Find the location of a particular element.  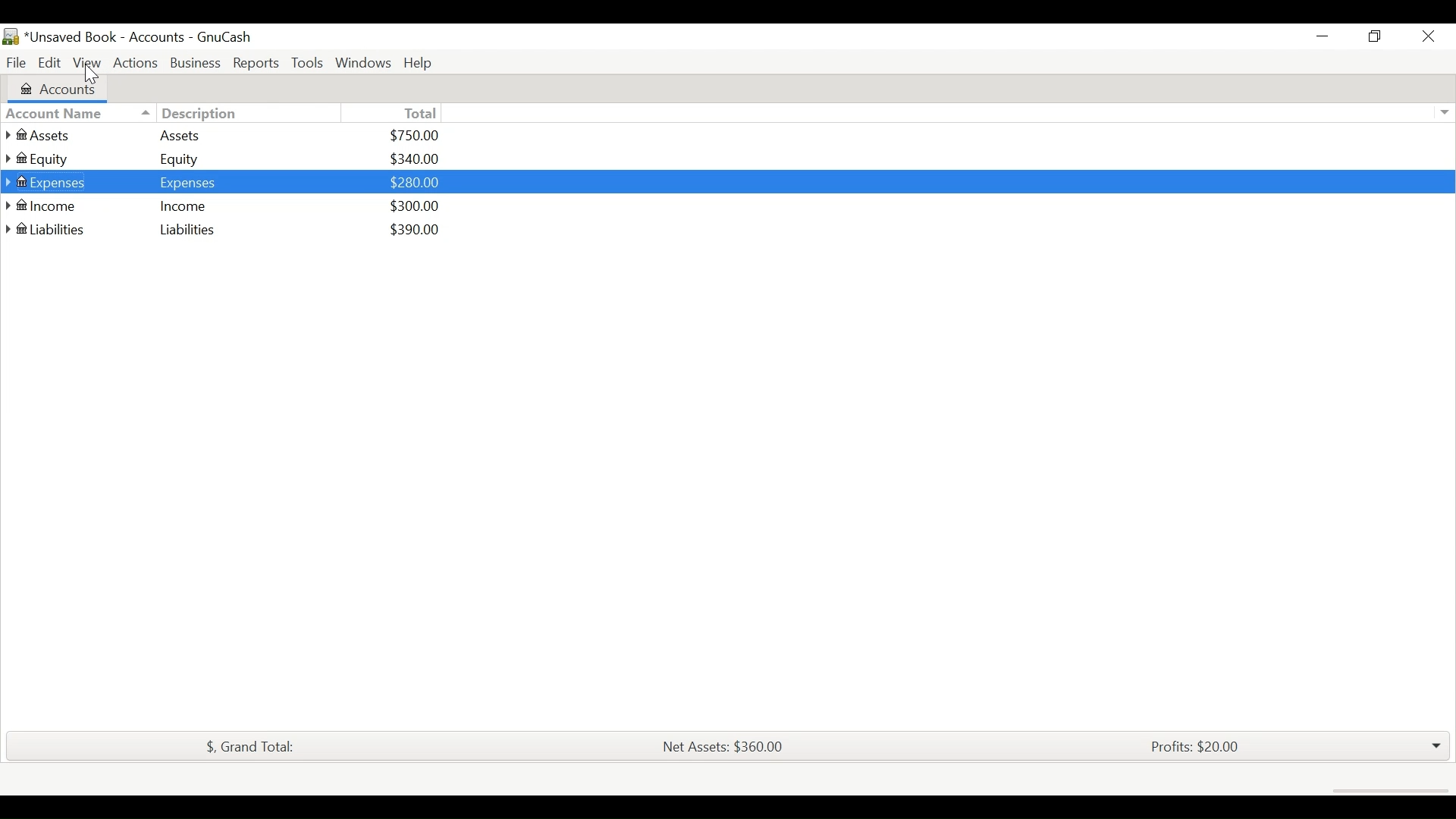

Accounts is located at coordinates (67, 87).